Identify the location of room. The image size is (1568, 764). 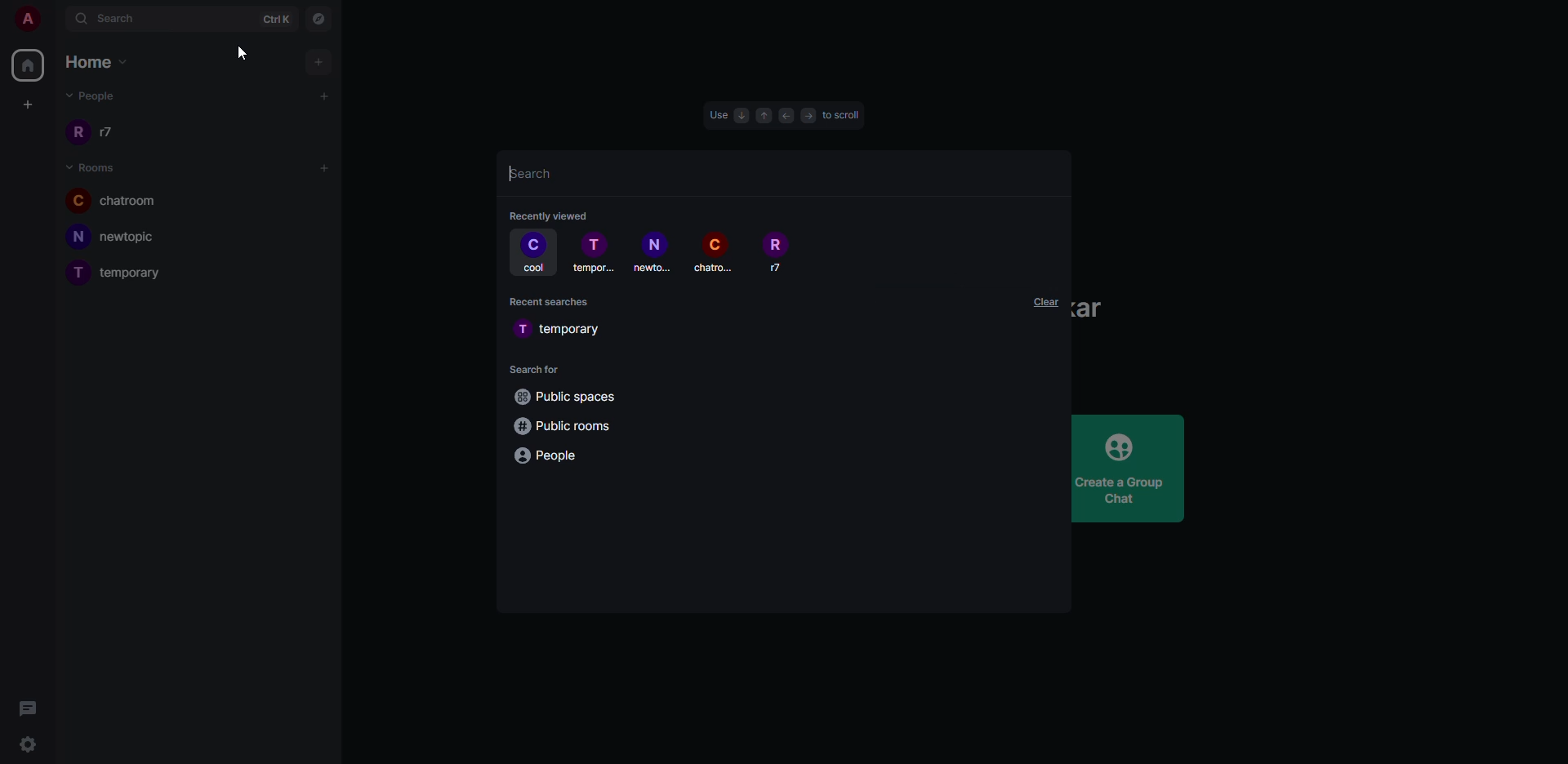
(594, 255).